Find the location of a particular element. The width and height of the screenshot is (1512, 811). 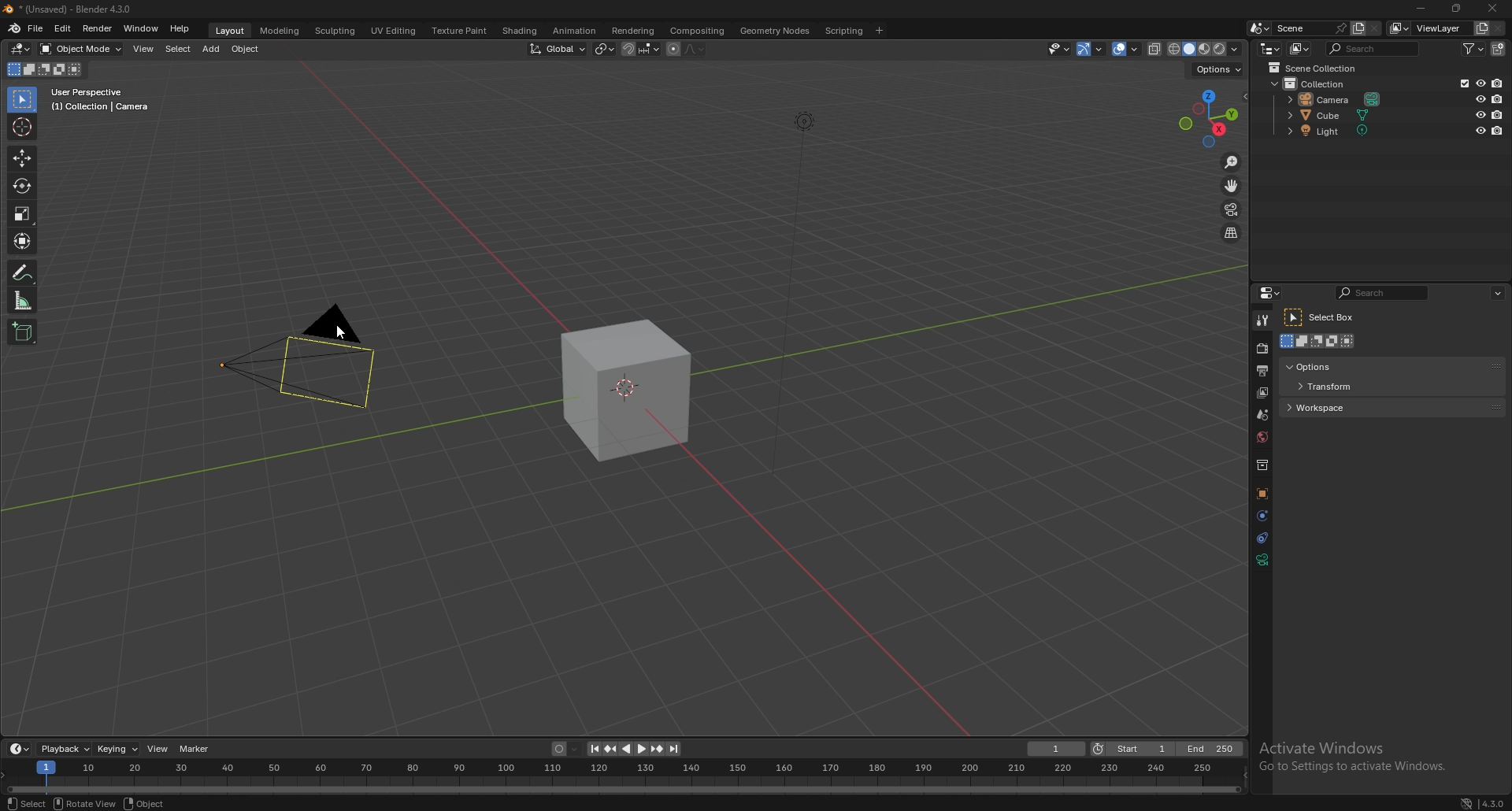

editor type is located at coordinates (20, 49).